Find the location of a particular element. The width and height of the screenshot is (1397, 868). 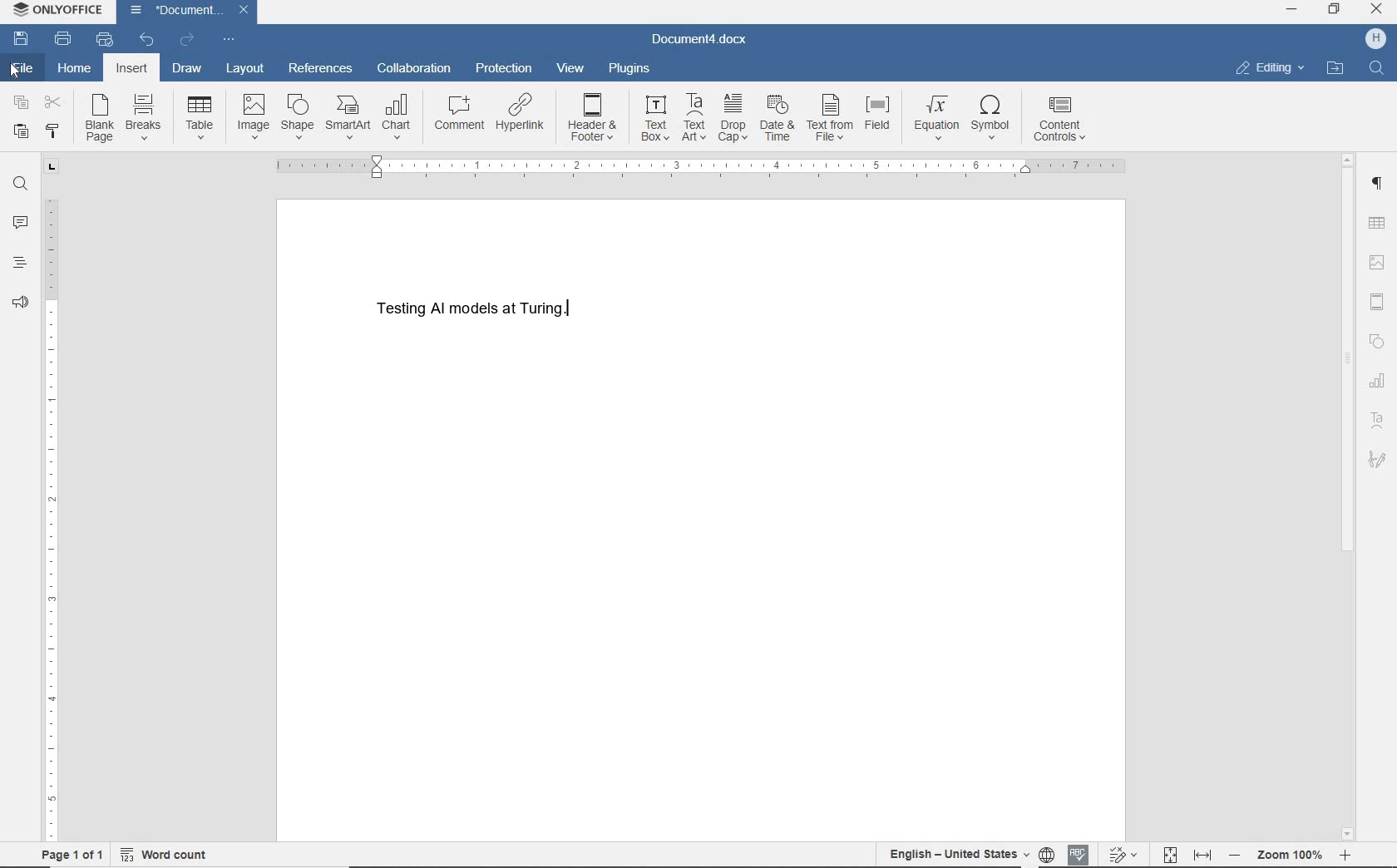

date & time is located at coordinates (778, 121).